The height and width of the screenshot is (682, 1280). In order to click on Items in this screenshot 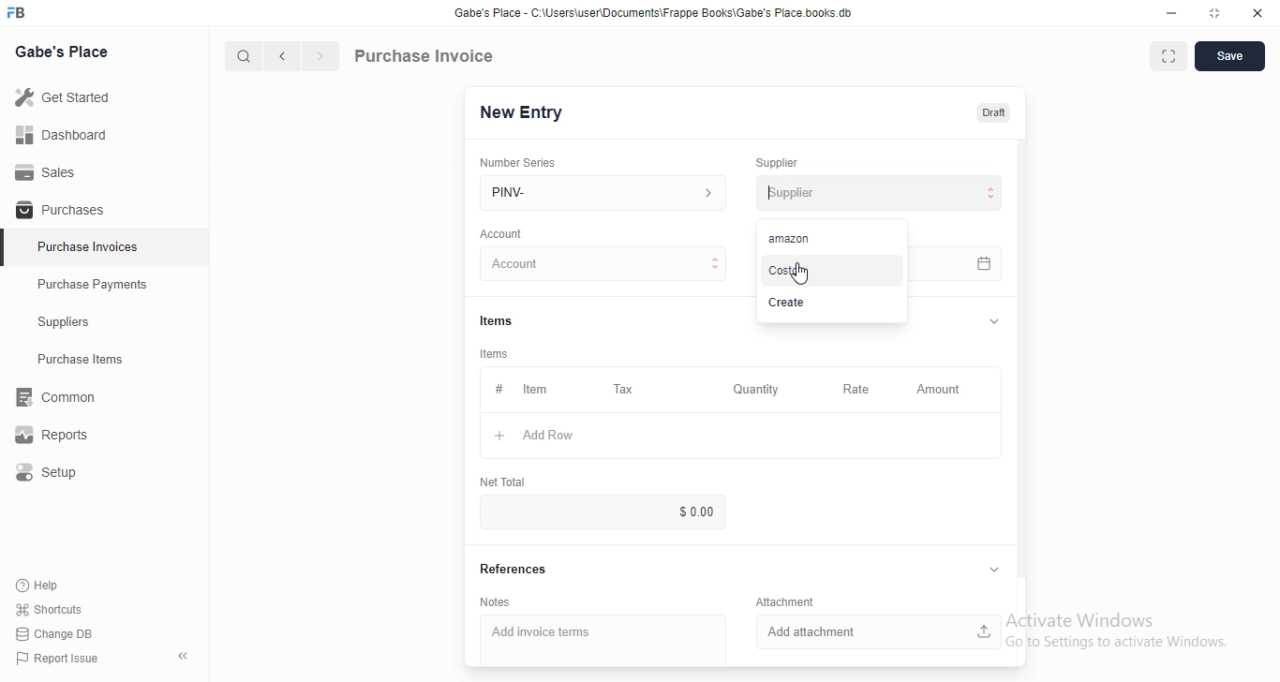, I will do `click(494, 354)`.